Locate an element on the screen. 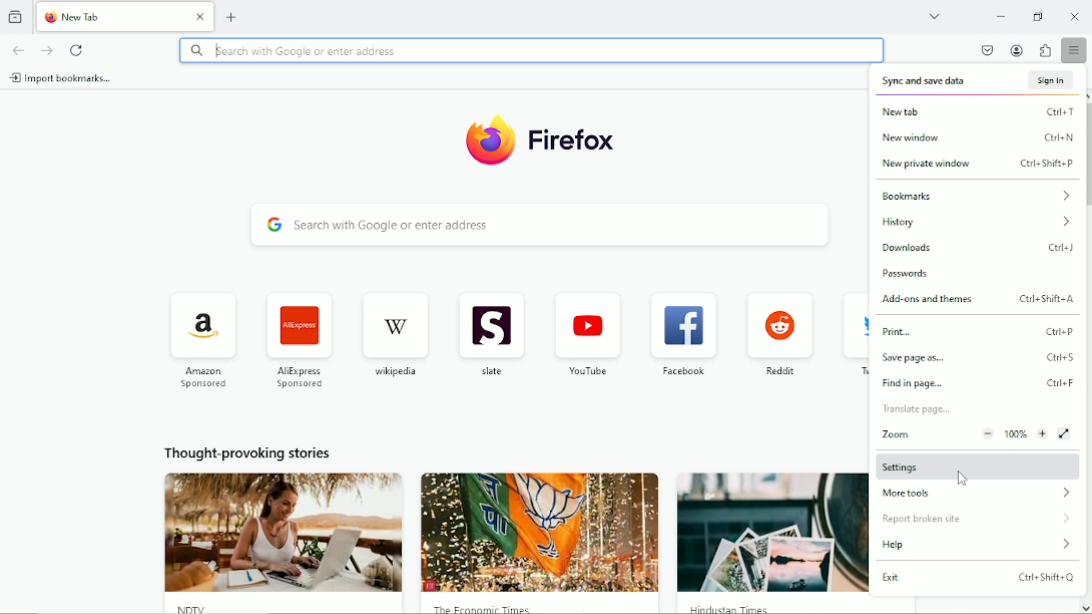 The image size is (1092, 614). icon is located at coordinates (685, 324).